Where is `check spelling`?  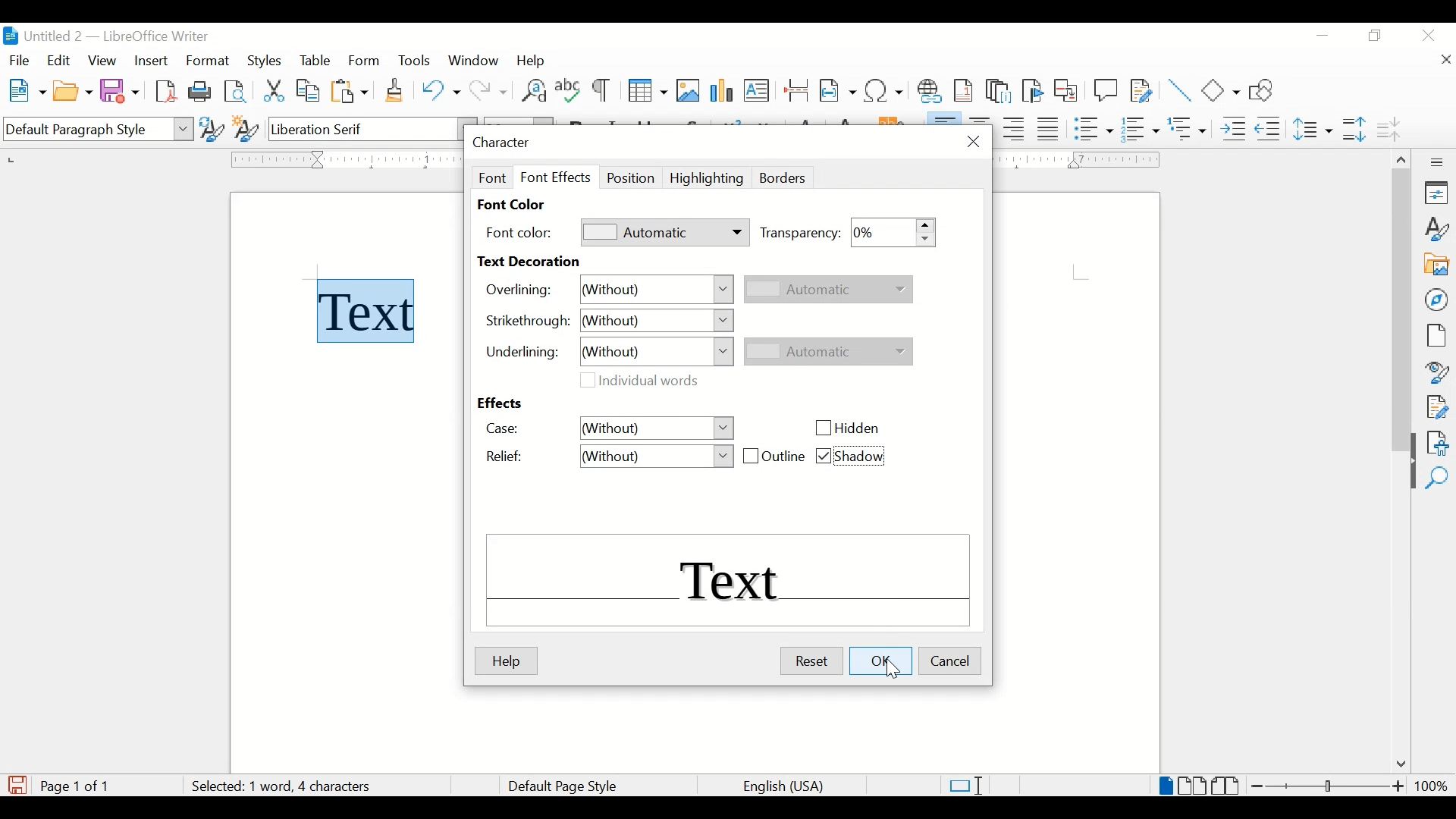 check spelling is located at coordinates (569, 89).